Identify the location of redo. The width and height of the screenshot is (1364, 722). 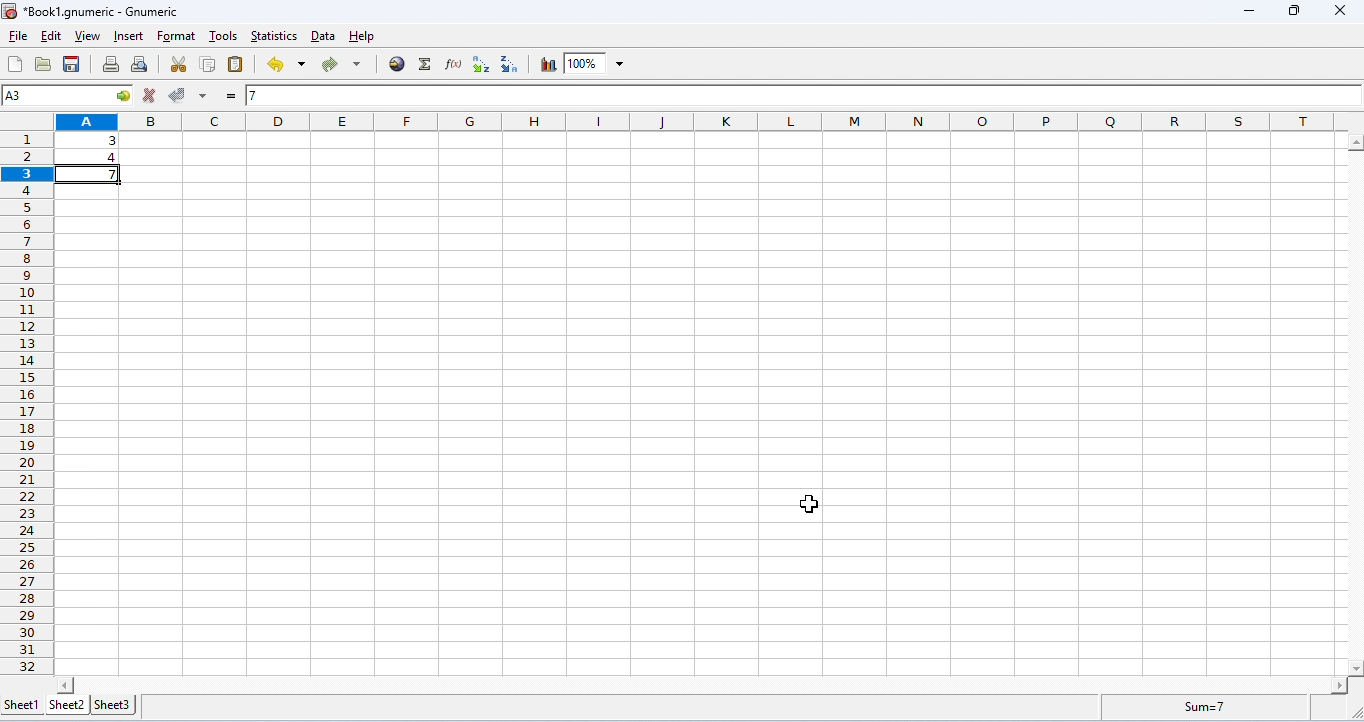
(338, 65).